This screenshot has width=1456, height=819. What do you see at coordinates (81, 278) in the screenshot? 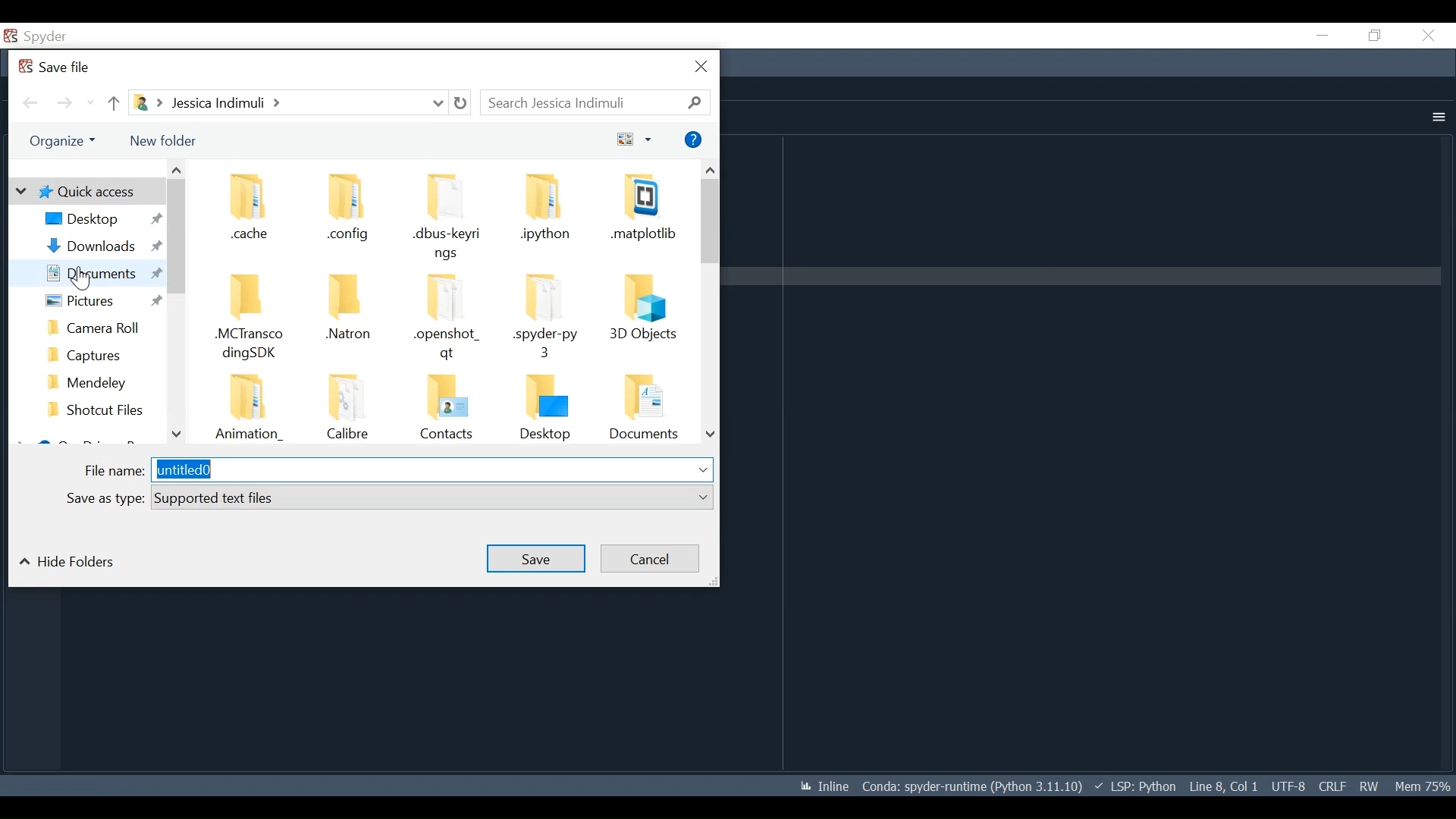
I see `cursor` at bounding box center [81, 278].